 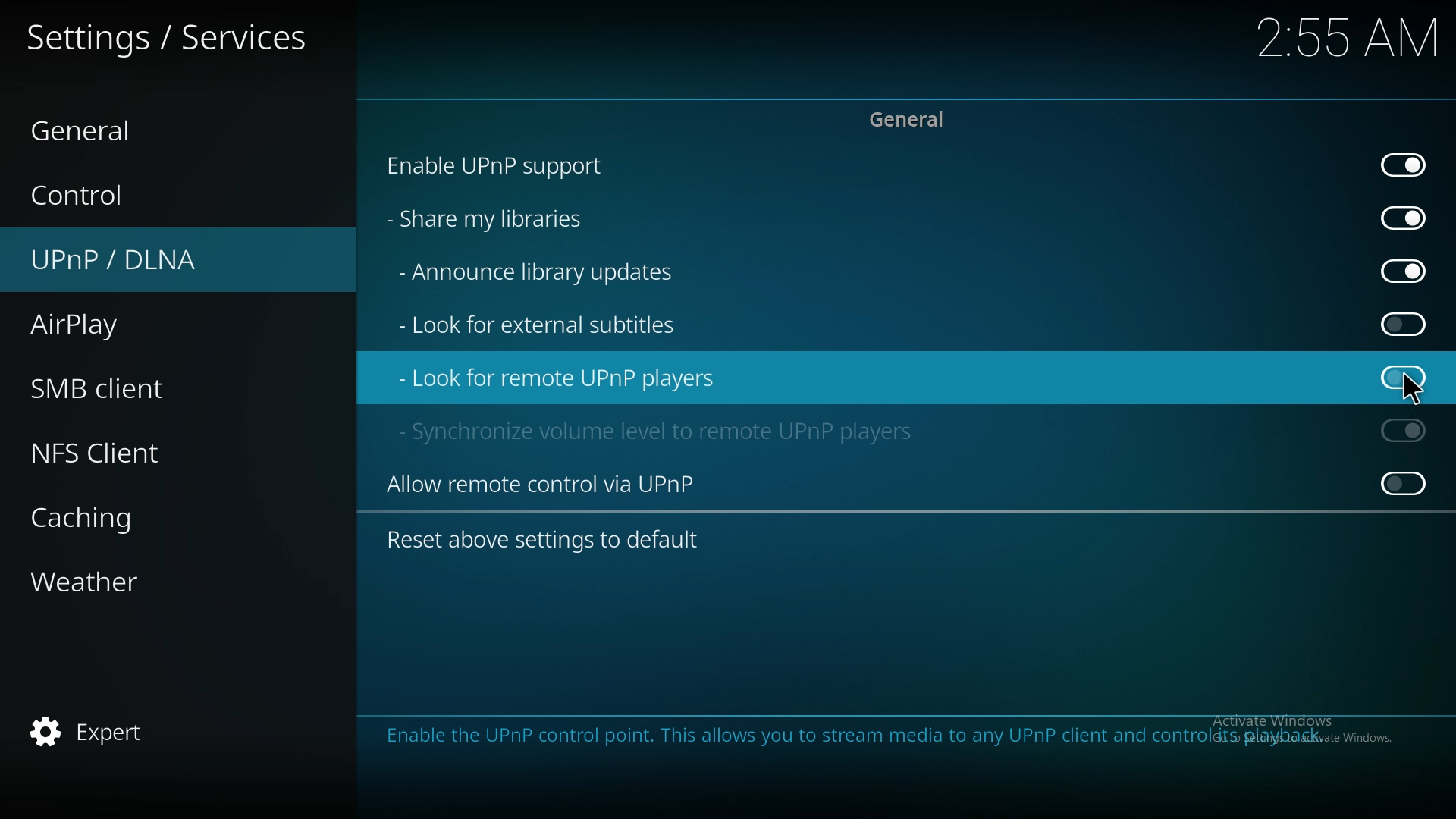 What do you see at coordinates (105, 327) in the screenshot?
I see `airplay` at bounding box center [105, 327].